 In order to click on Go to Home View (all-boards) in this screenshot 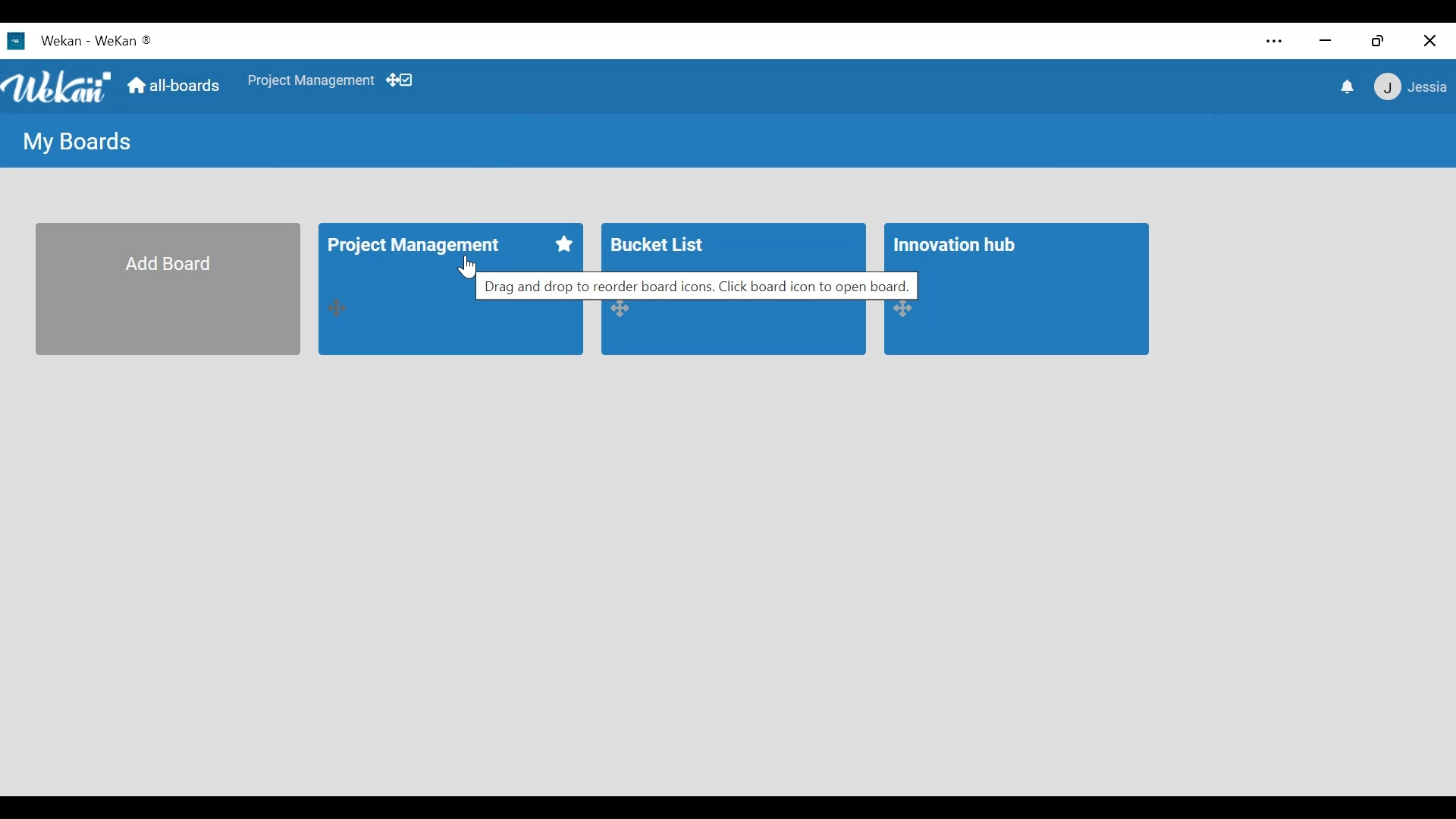, I will do `click(174, 87)`.